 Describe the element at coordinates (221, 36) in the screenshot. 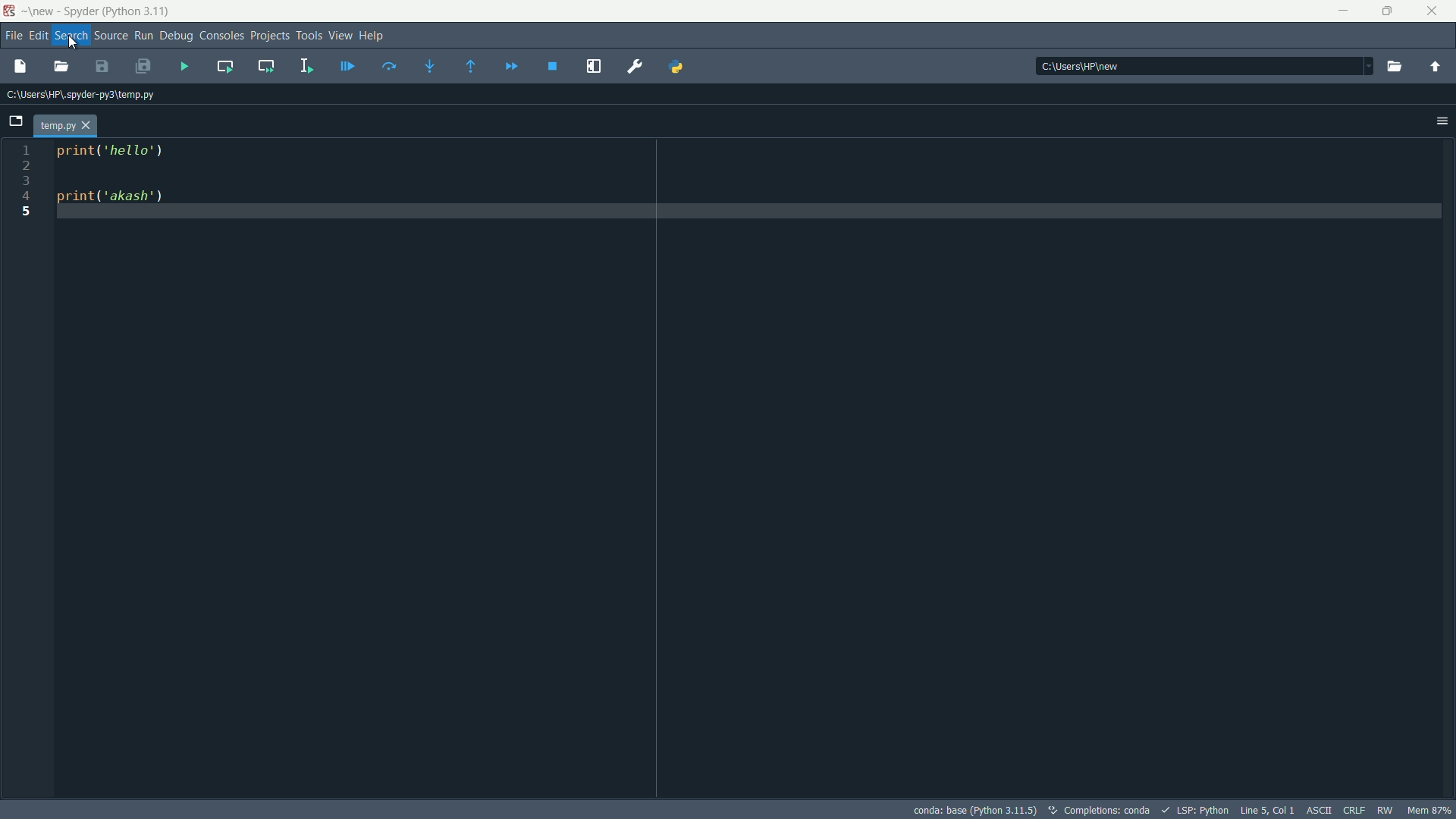

I see `consoles menu` at that location.